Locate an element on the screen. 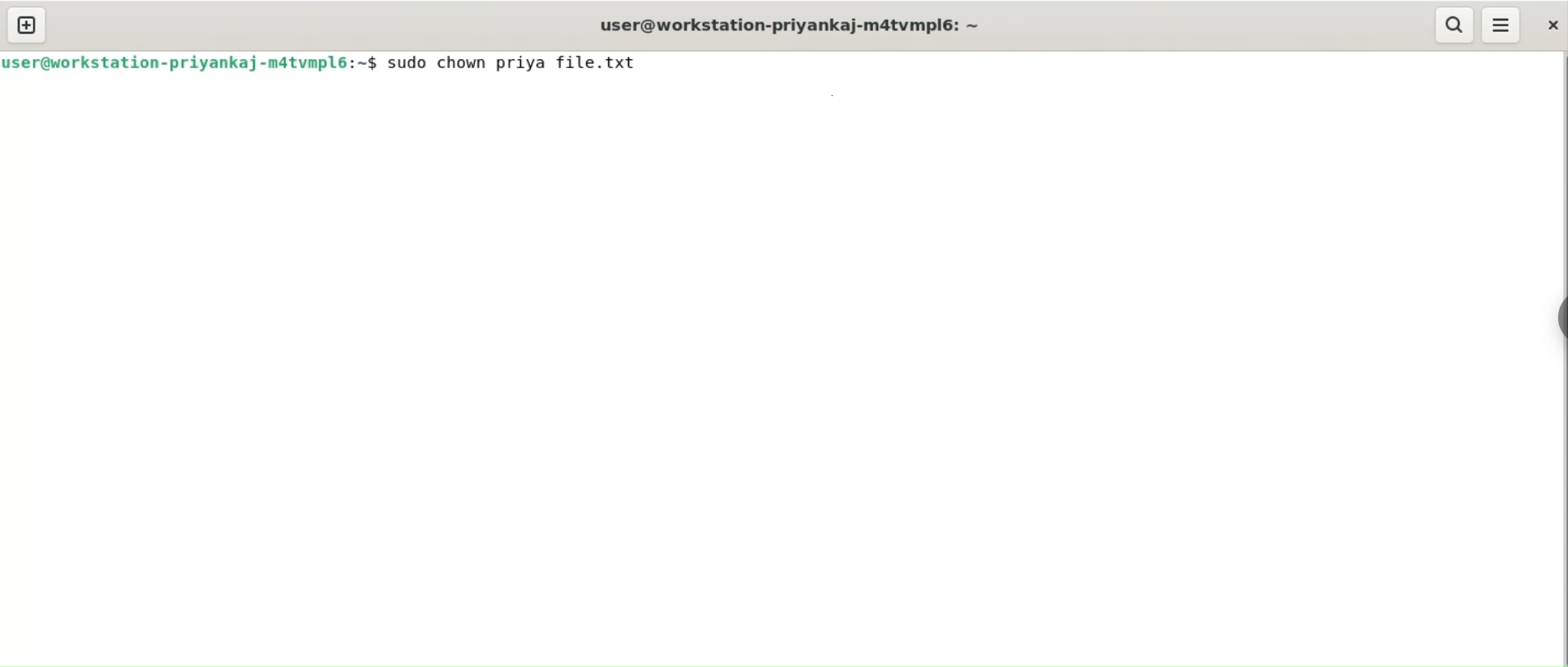 The height and width of the screenshot is (667, 1568). user@workstation-priyankaj-m4tvmlp6:~ is located at coordinates (787, 25).